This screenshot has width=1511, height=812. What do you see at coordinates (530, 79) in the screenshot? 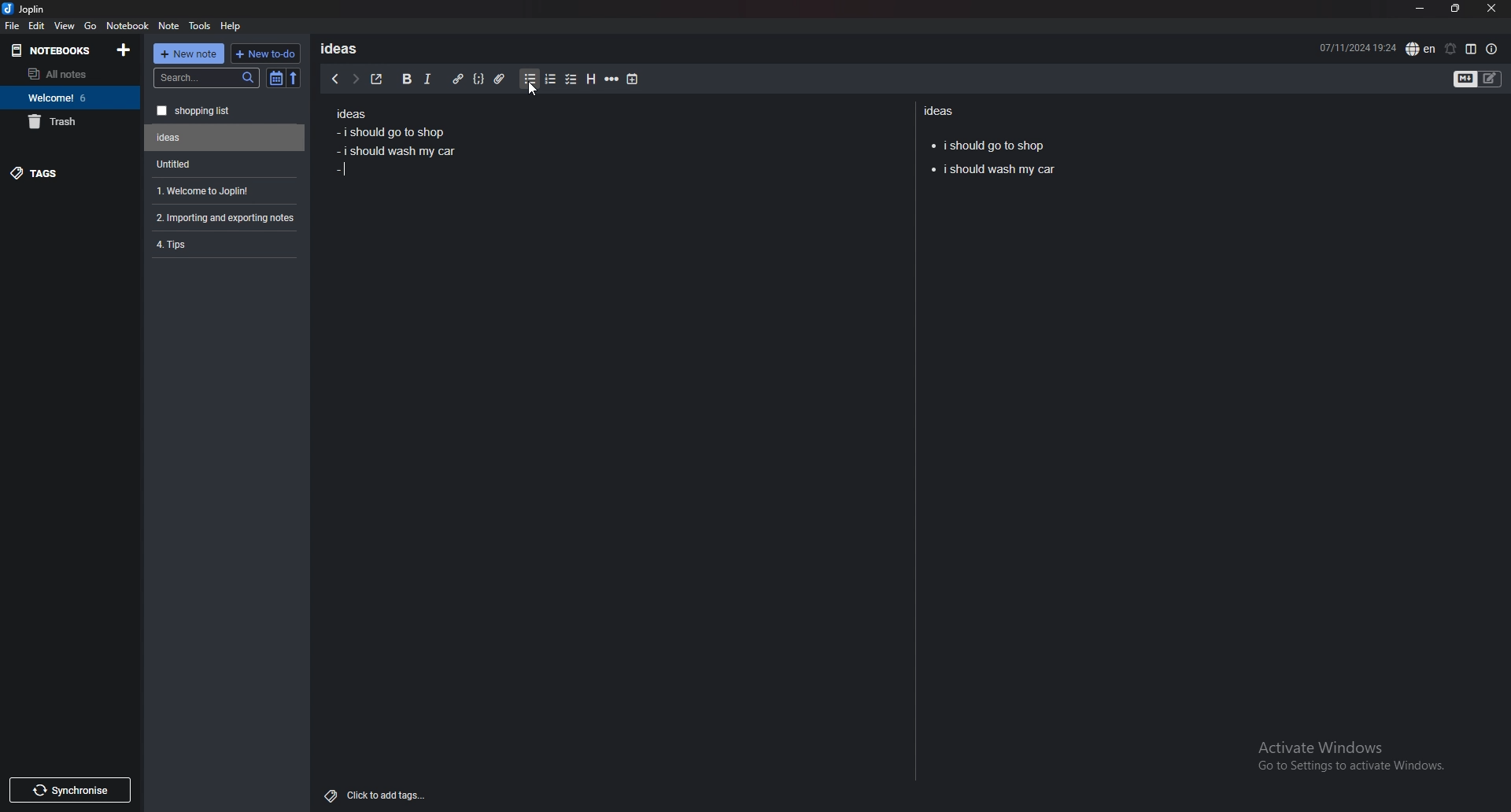
I see `bullet list` at bounding box center [530, 79].